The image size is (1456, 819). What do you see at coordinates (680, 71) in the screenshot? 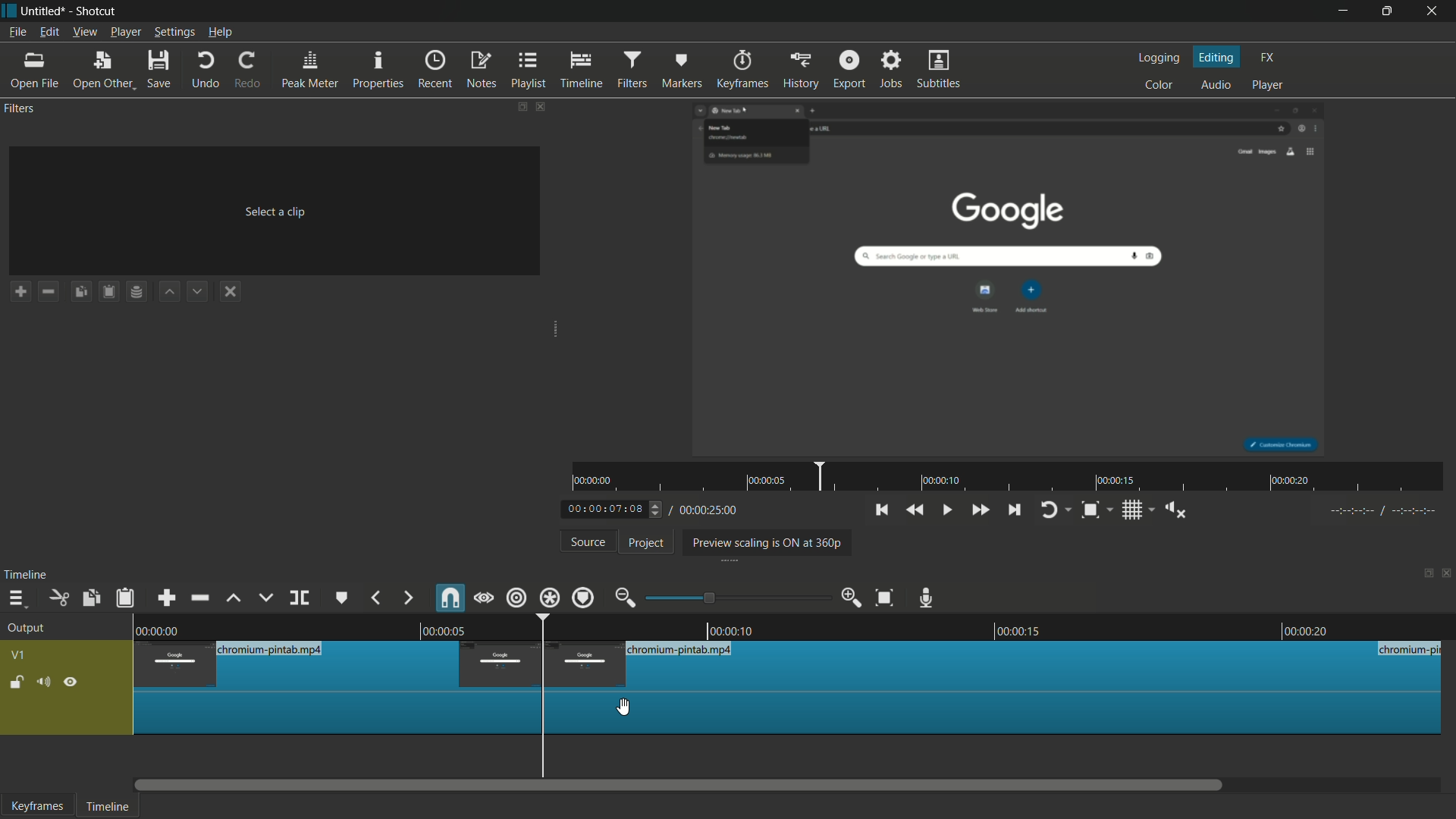
I see `markers` at bounding box center [680, 71].